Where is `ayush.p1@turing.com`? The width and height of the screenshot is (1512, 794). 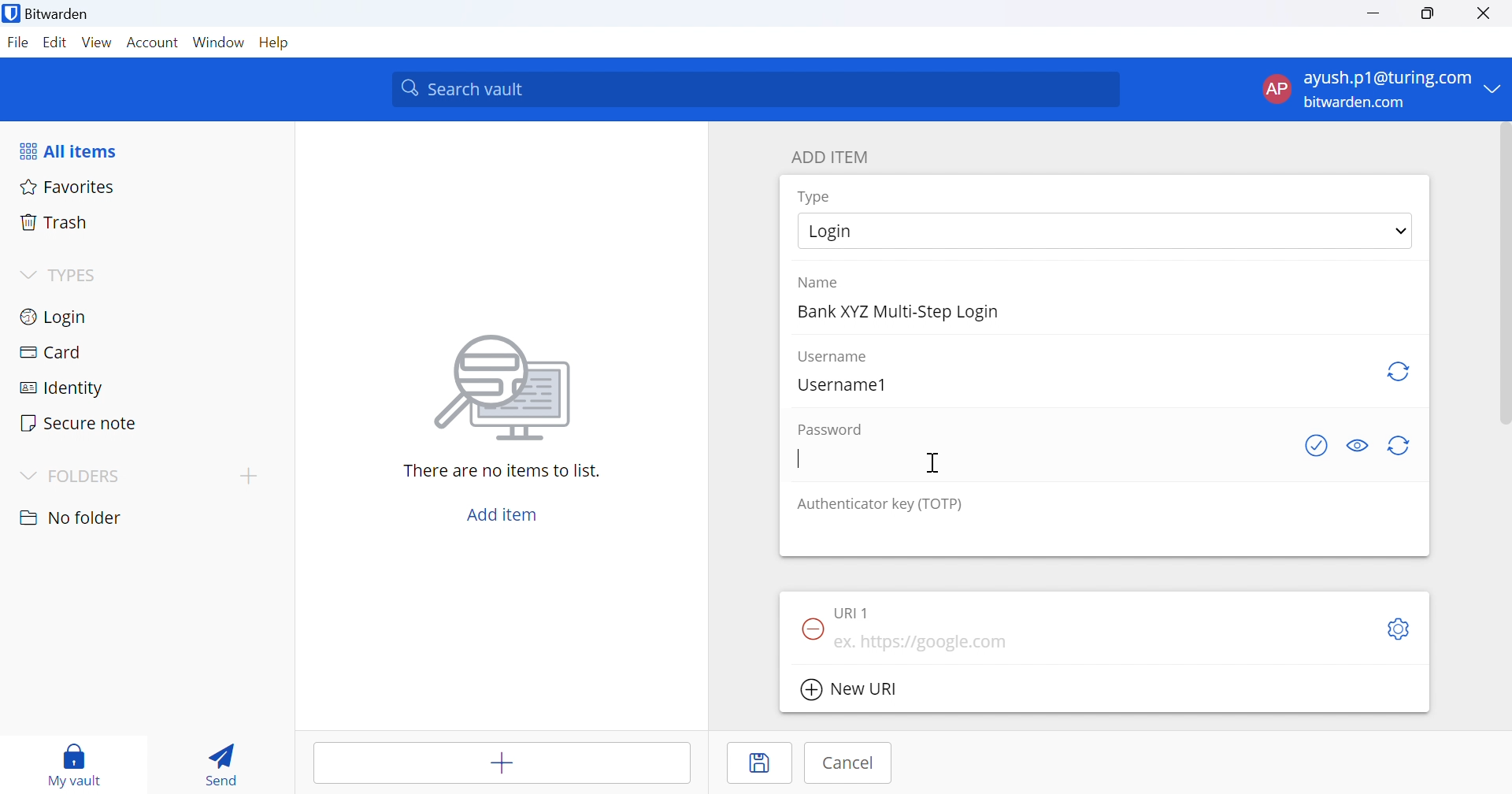 ayush.p1@turing.com is located at coordinates (1388, 78).